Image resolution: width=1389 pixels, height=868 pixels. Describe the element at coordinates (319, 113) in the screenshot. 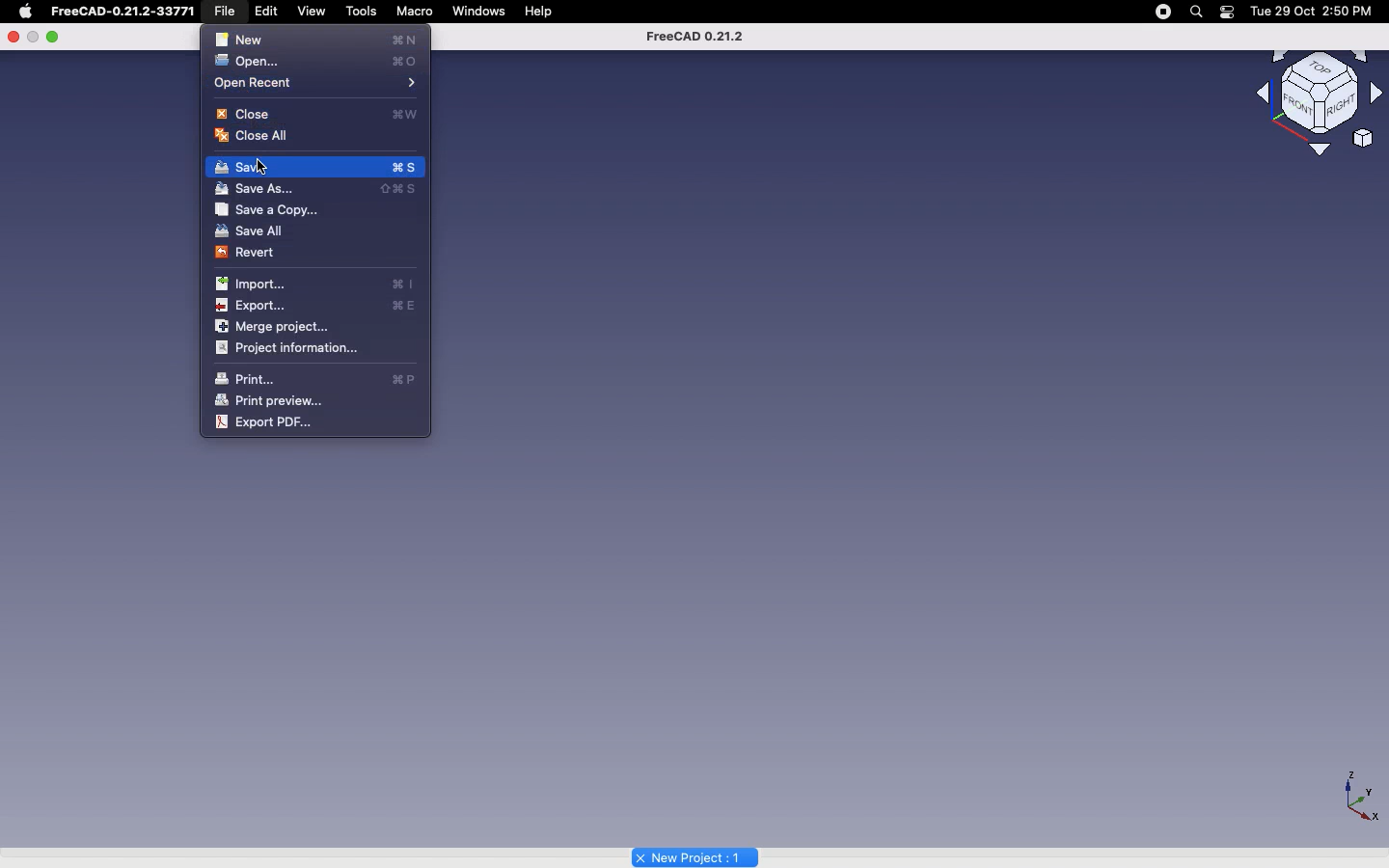

I see `Close ` at that location.